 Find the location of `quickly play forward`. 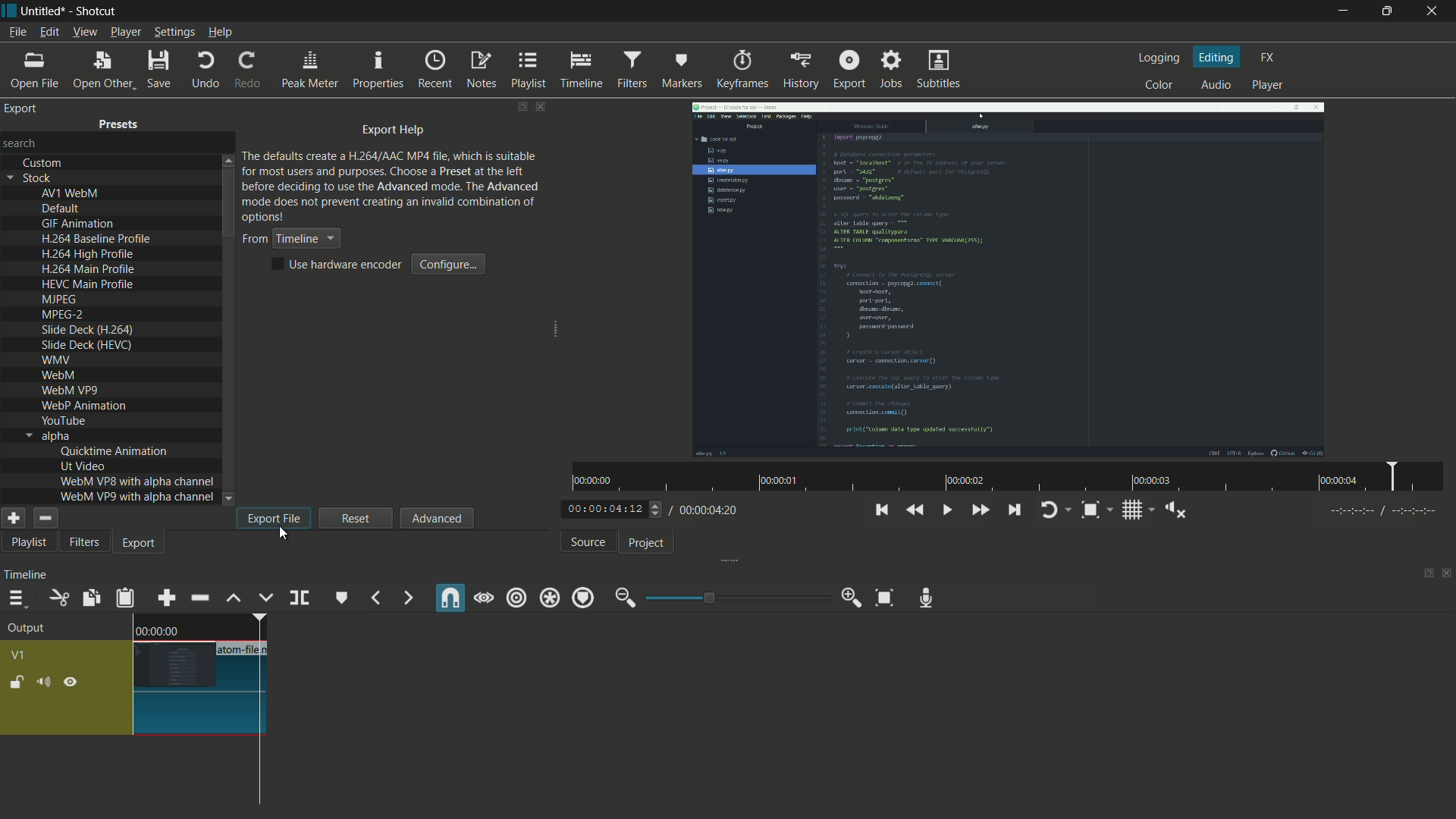

quickly play forward is located at coordinates (981, 511).